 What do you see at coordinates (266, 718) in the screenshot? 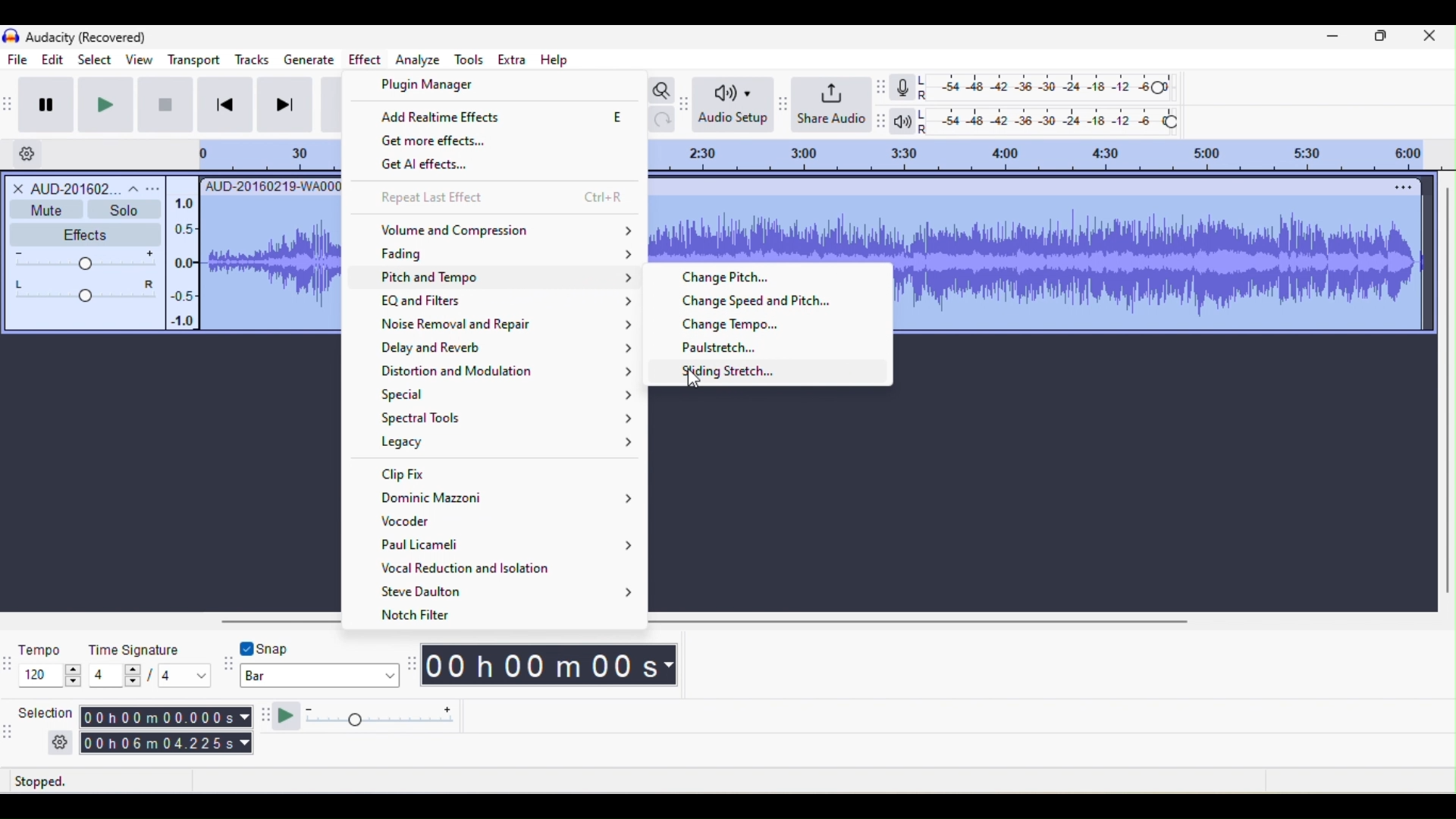
I see `audacity plat at speed` at bounding box center [266, 718].